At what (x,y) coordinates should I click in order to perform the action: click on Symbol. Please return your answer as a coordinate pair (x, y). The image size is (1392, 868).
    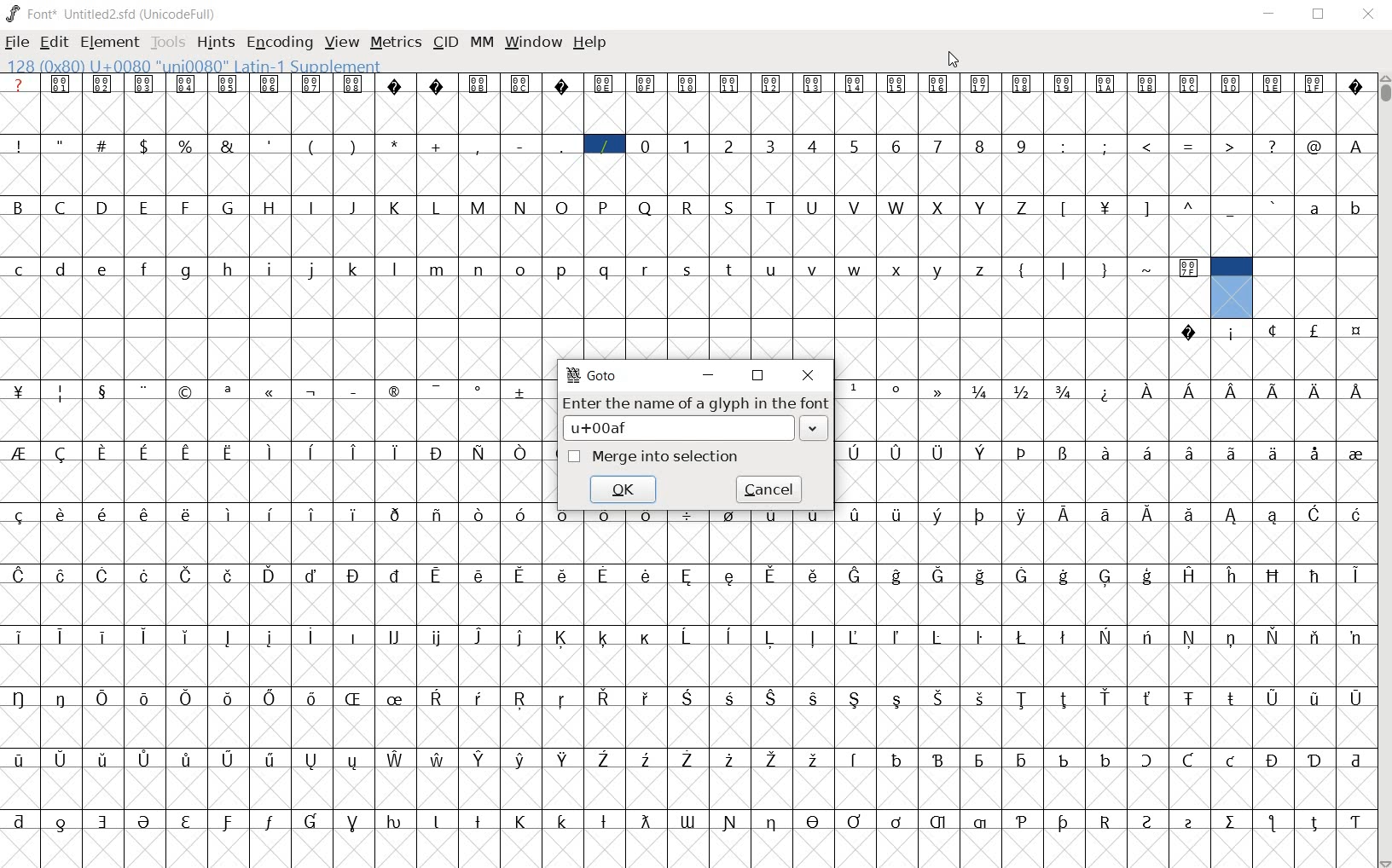
    Looking at the image, I should click on (356, 451).